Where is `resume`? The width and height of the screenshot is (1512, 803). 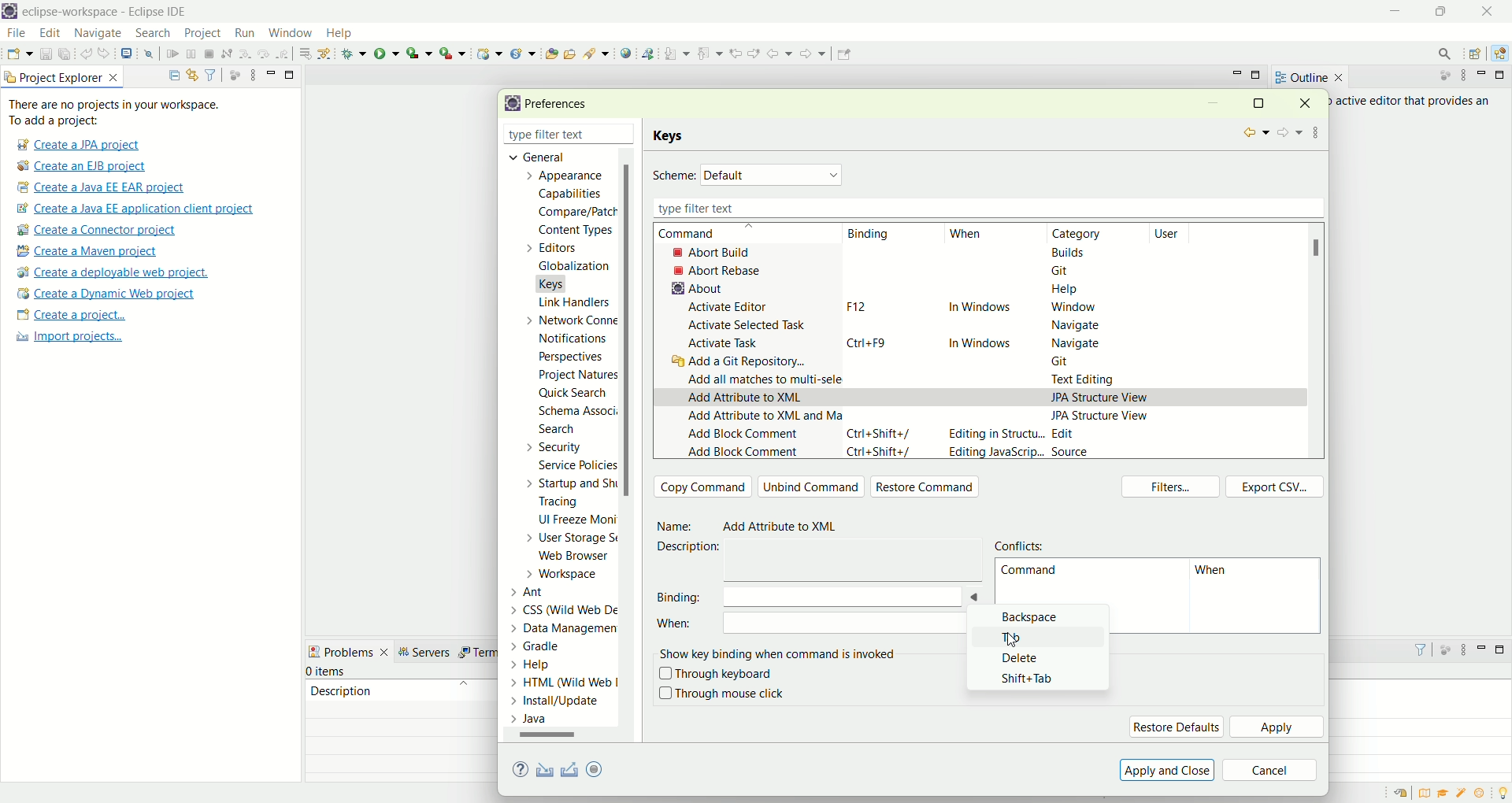
resume is located at coordinates (173, 55).